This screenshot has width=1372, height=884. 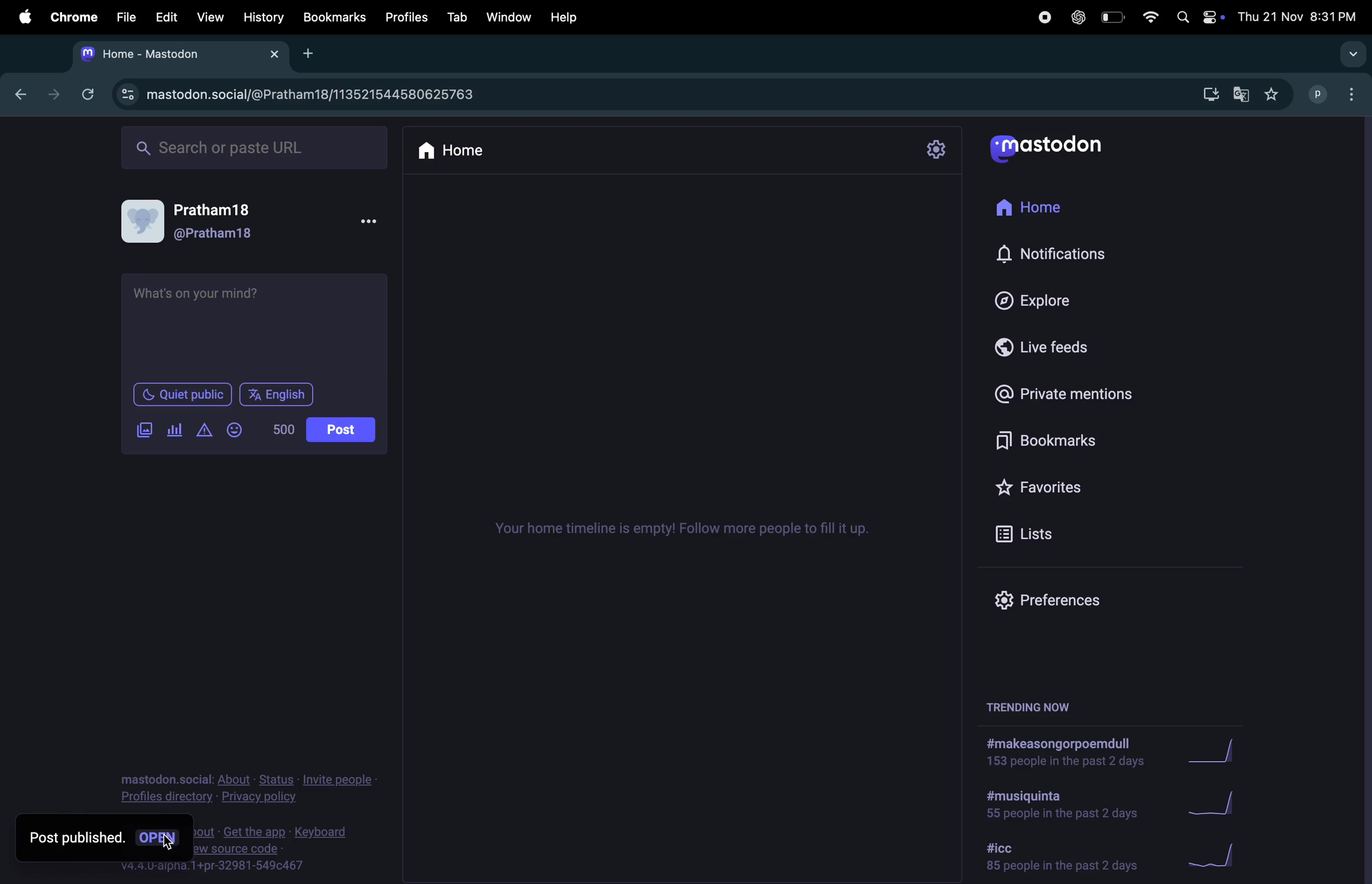 What do you see at coordinates (252, 324) in the screenshot?
I see `textbox` at bounding box center [252, 324].